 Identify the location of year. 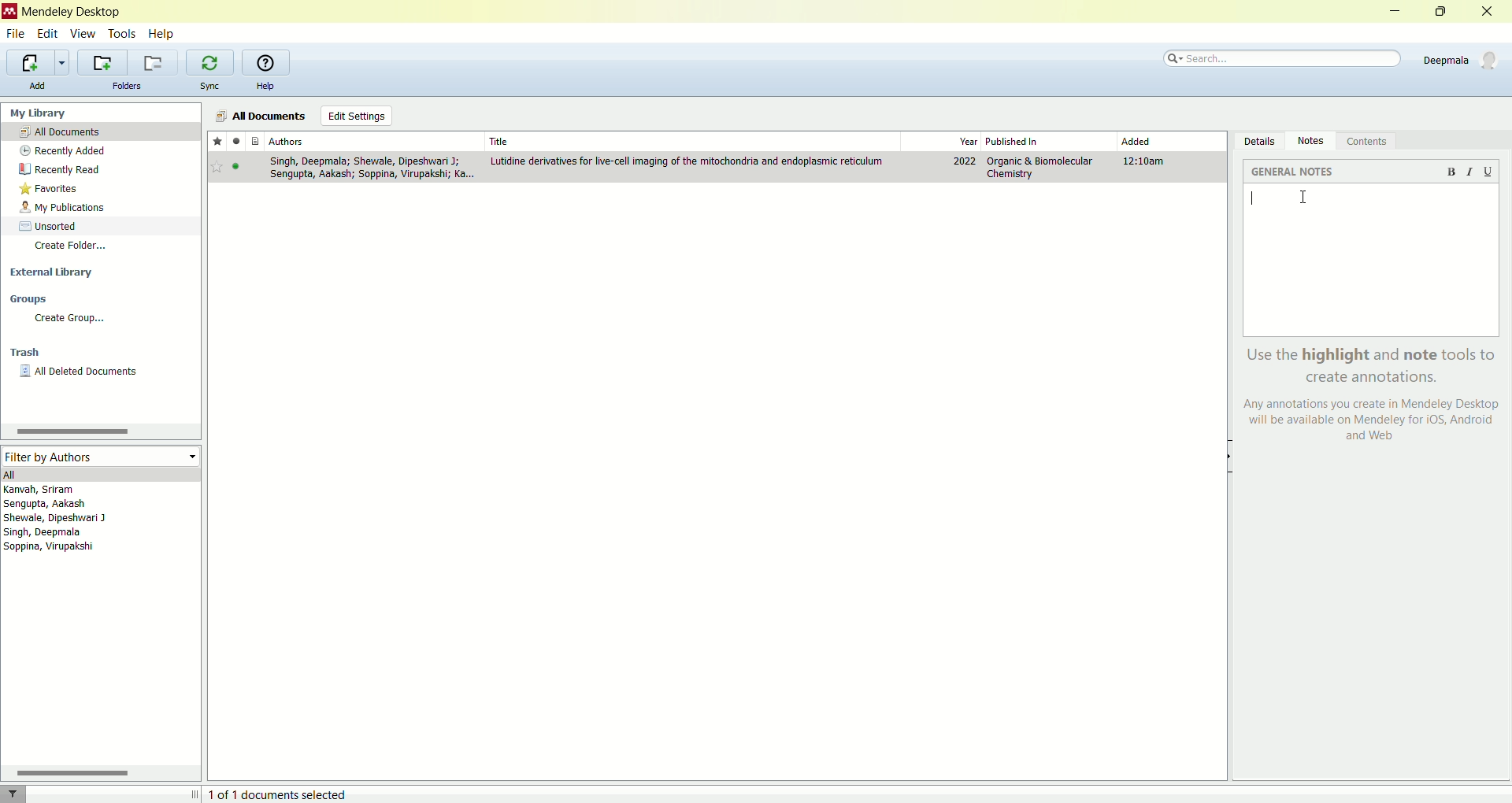
(968, 142).